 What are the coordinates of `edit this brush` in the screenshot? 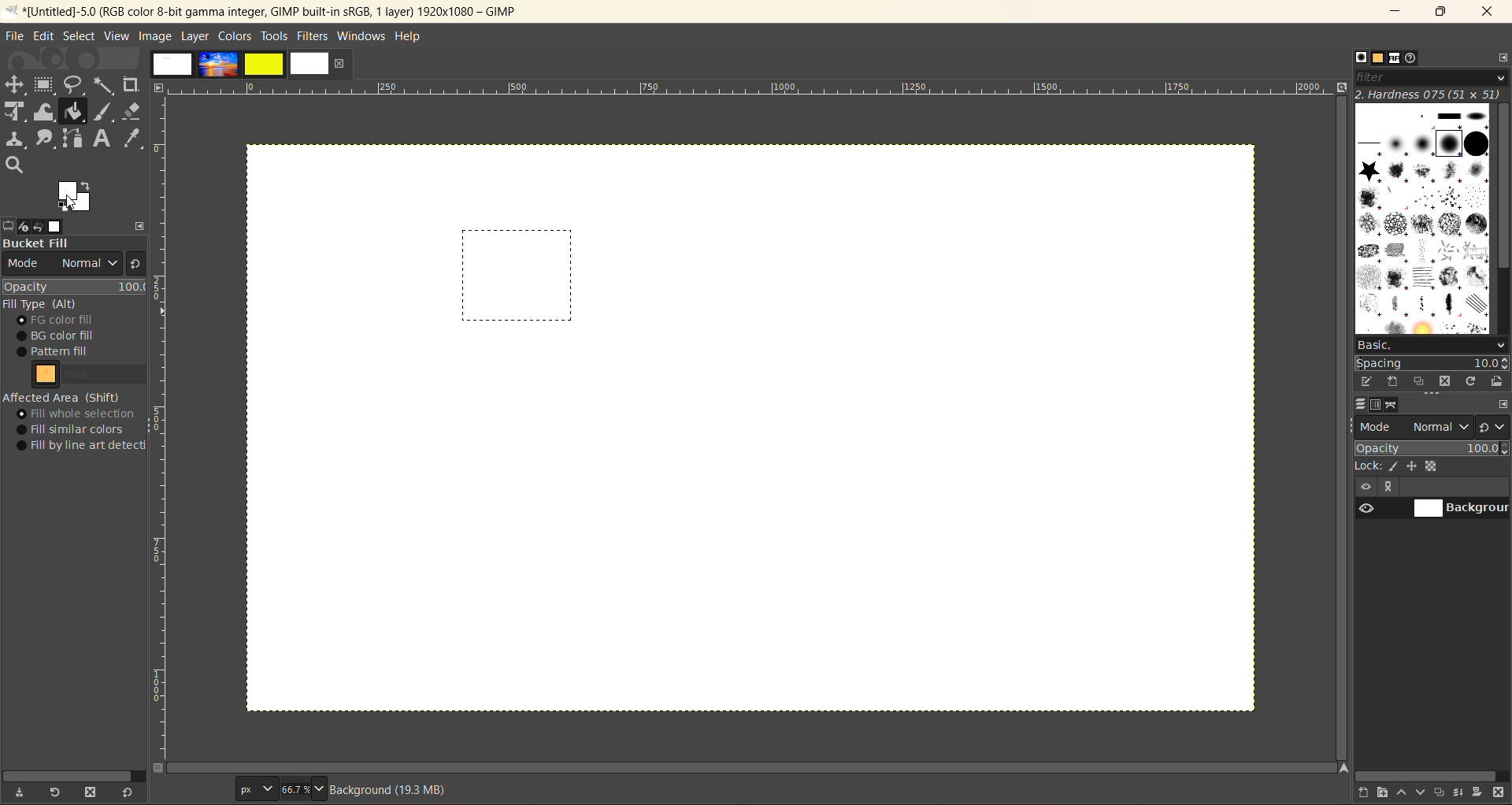 It's located at (1369, 383).